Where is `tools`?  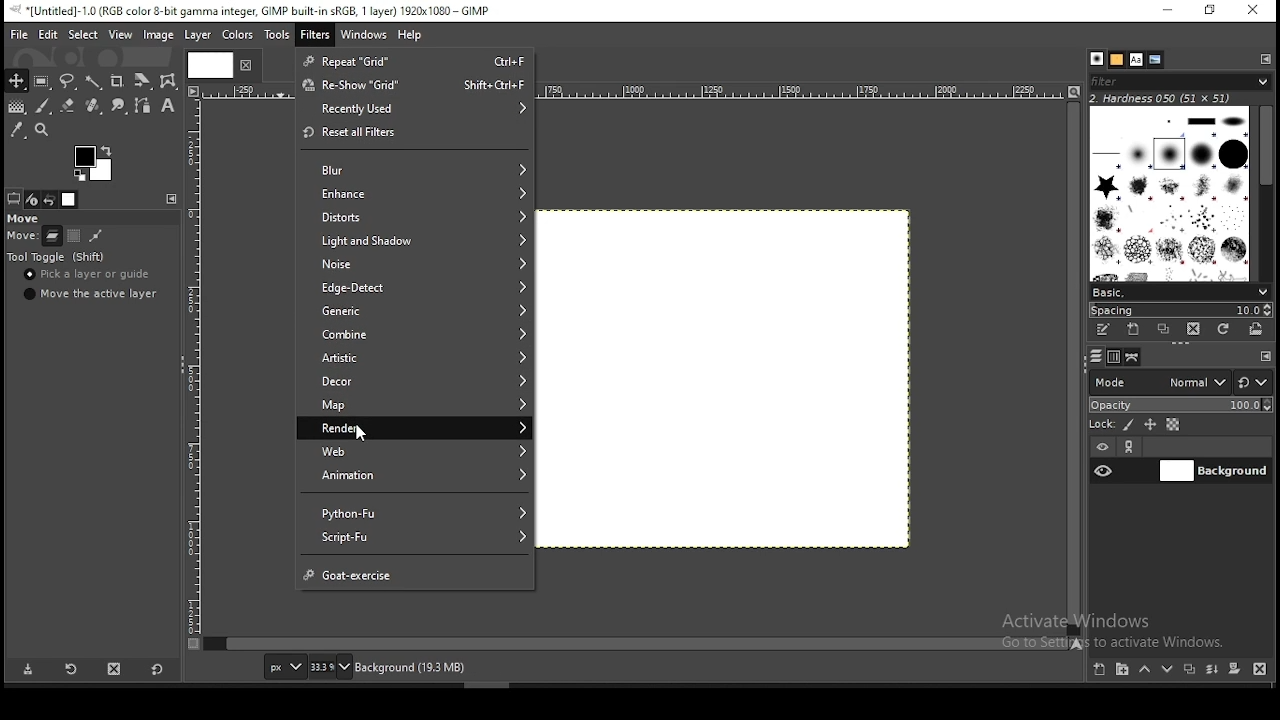 tools is located at coordinates (280, 35).